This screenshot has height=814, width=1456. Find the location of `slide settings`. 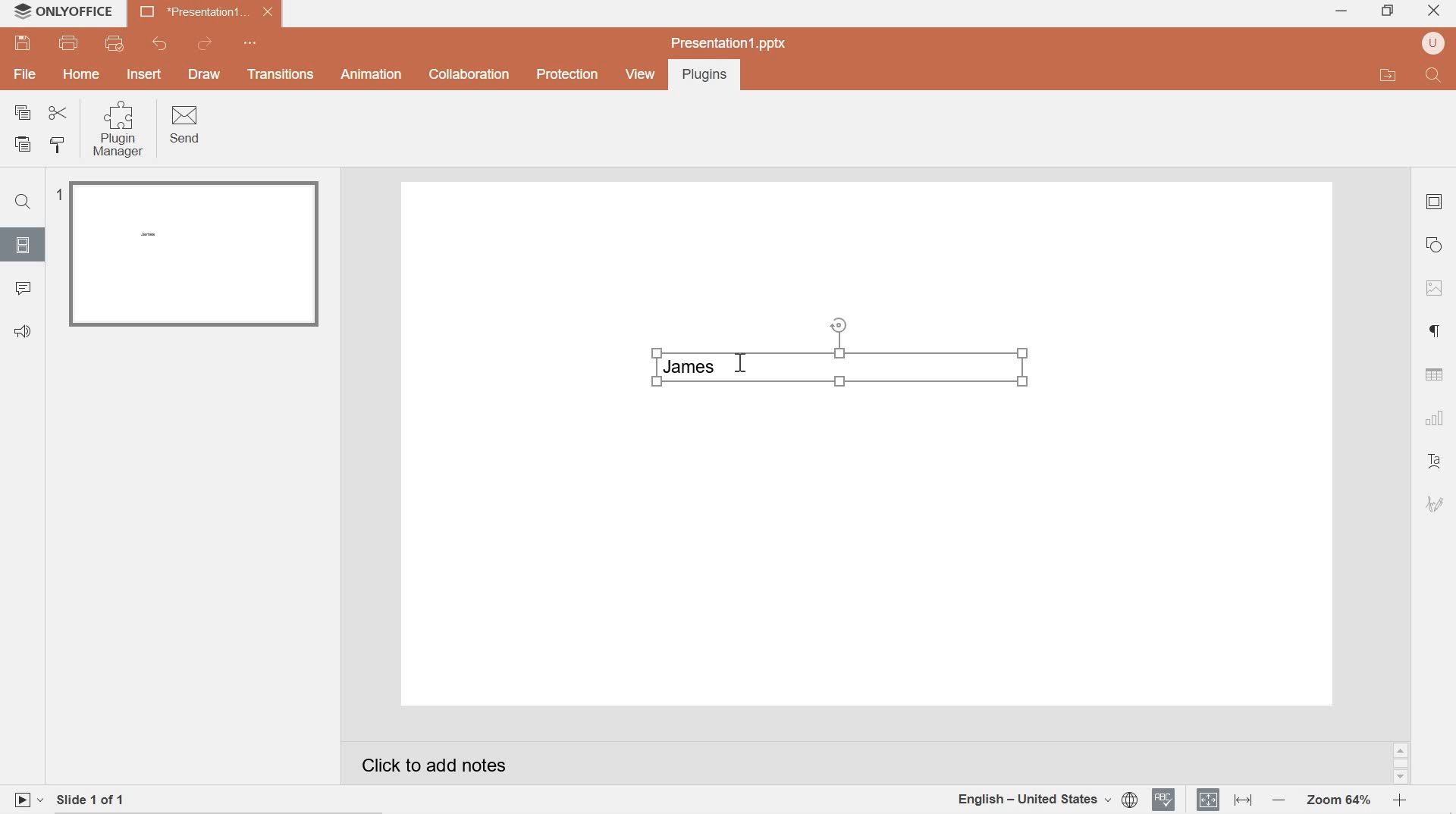

slide settings is located at coordinates (1434, 202).